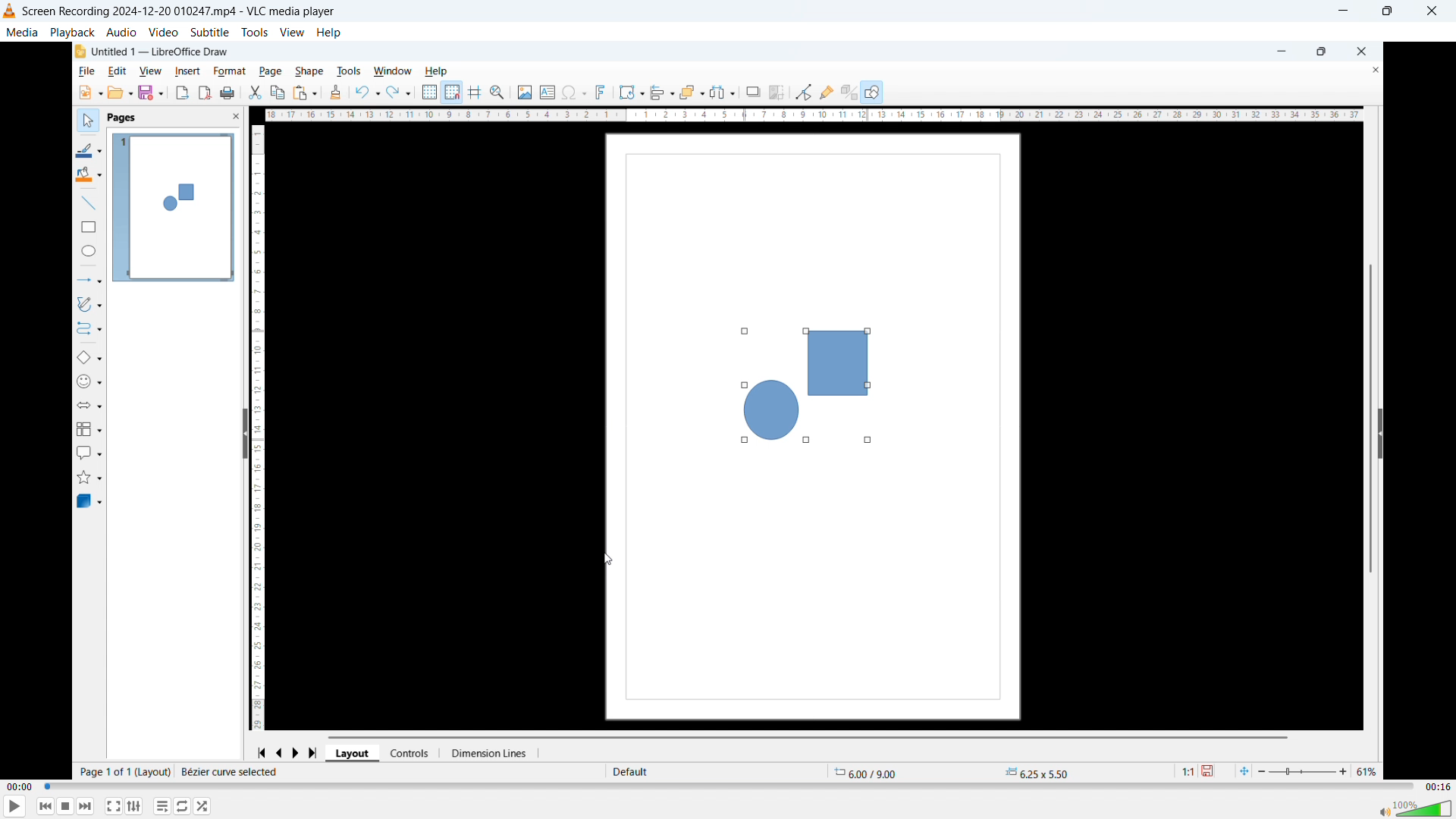  I want to click on Toggle between loop all no loop and loop one , so click(183, 805).